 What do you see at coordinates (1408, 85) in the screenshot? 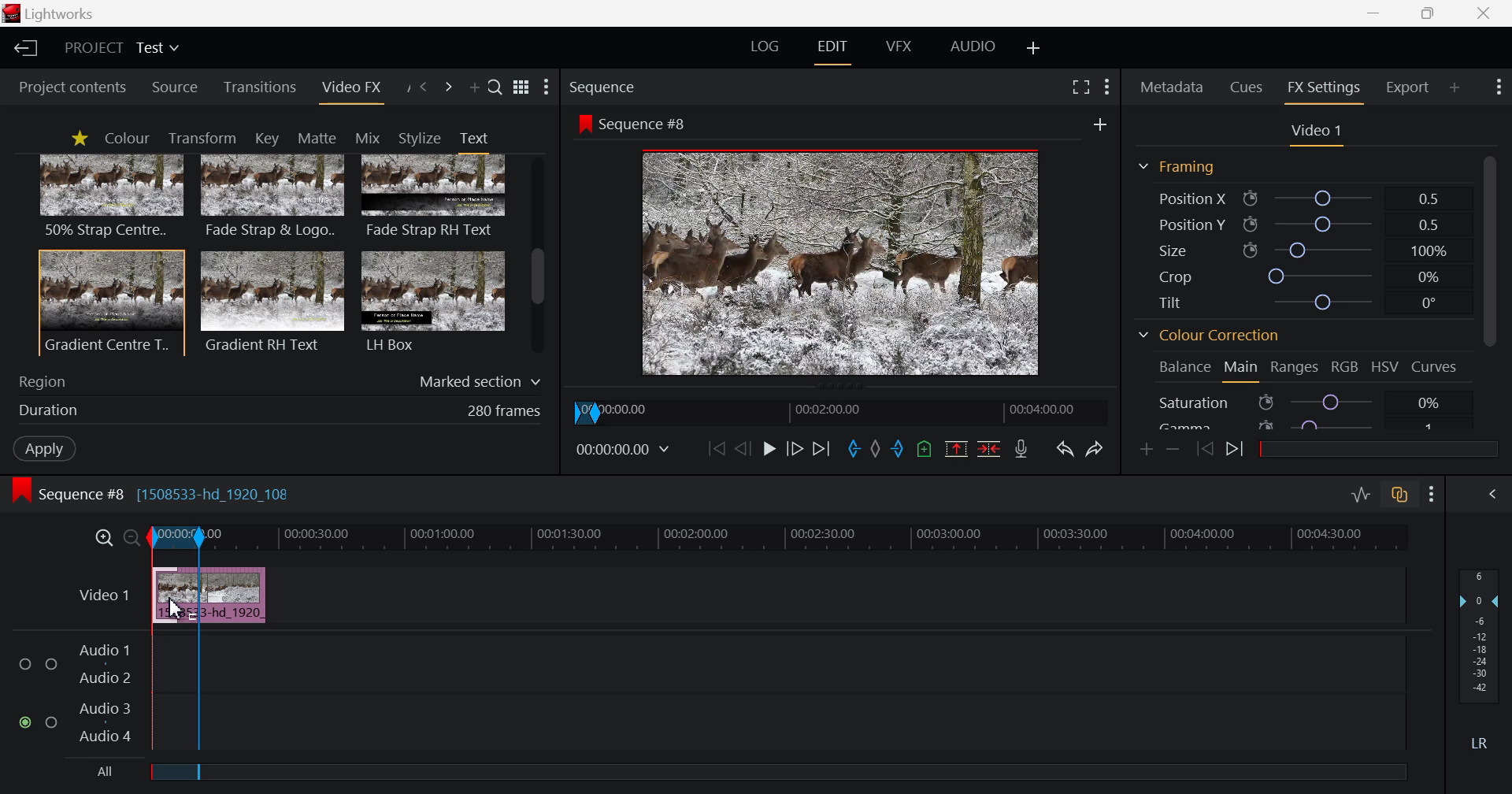
I see `Export` at bounding box center [1408, 85].